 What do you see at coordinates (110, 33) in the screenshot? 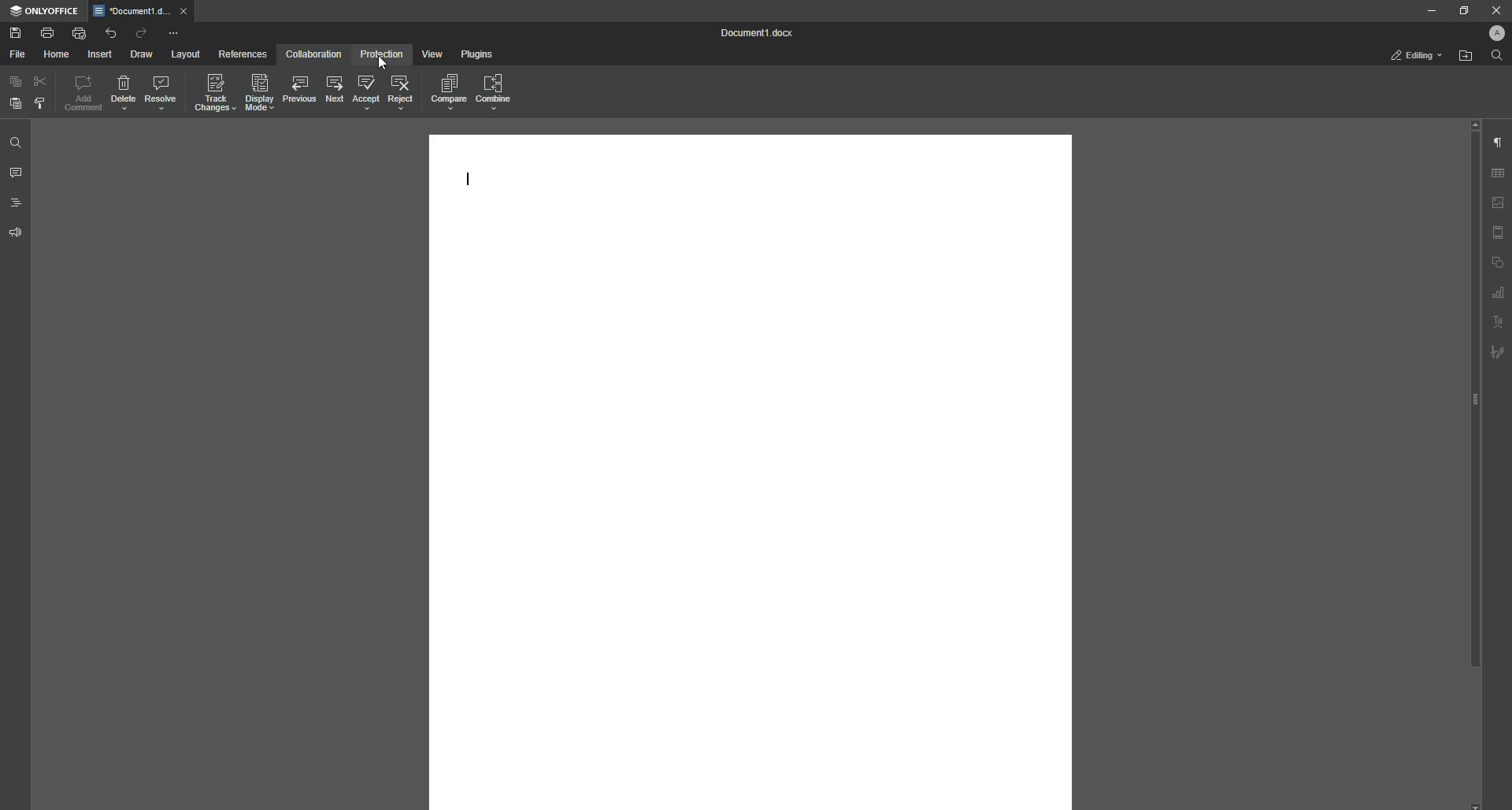
I see `Undo` at bounding box center [110, 33].